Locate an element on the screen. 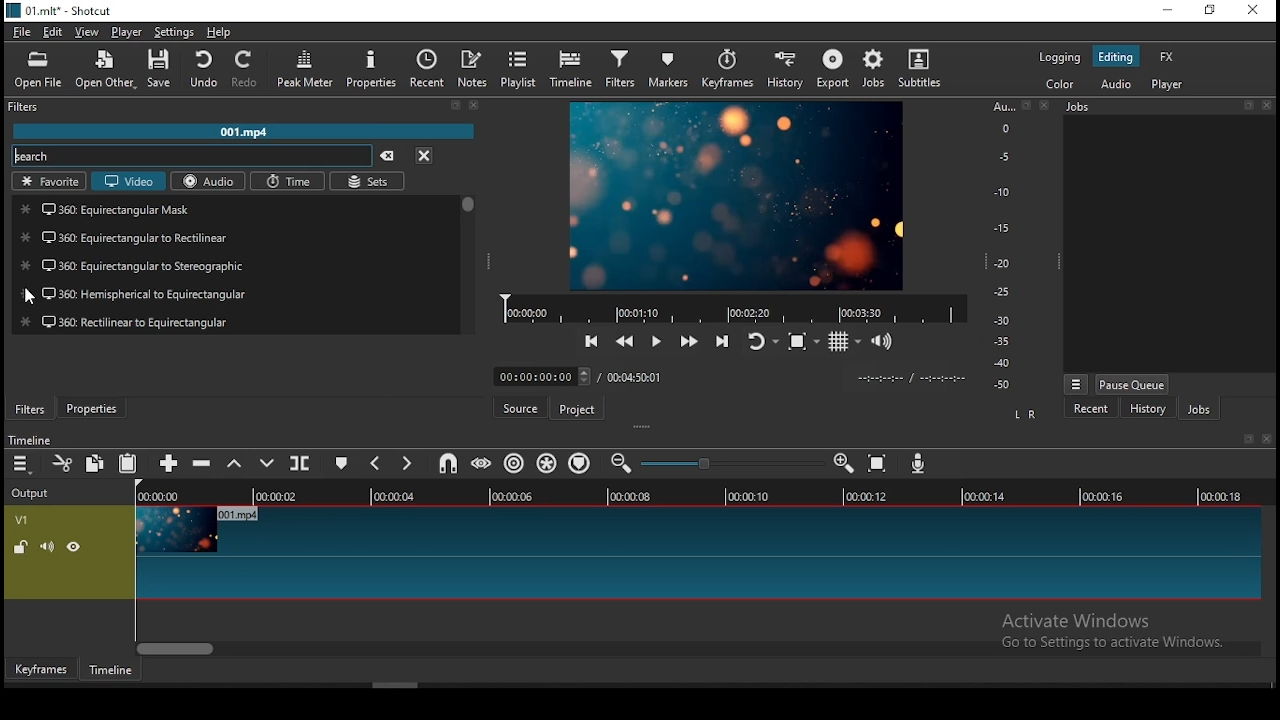 The width and height of the screenshot is (1280, 720). timeline is located at coordinates (697, 494).